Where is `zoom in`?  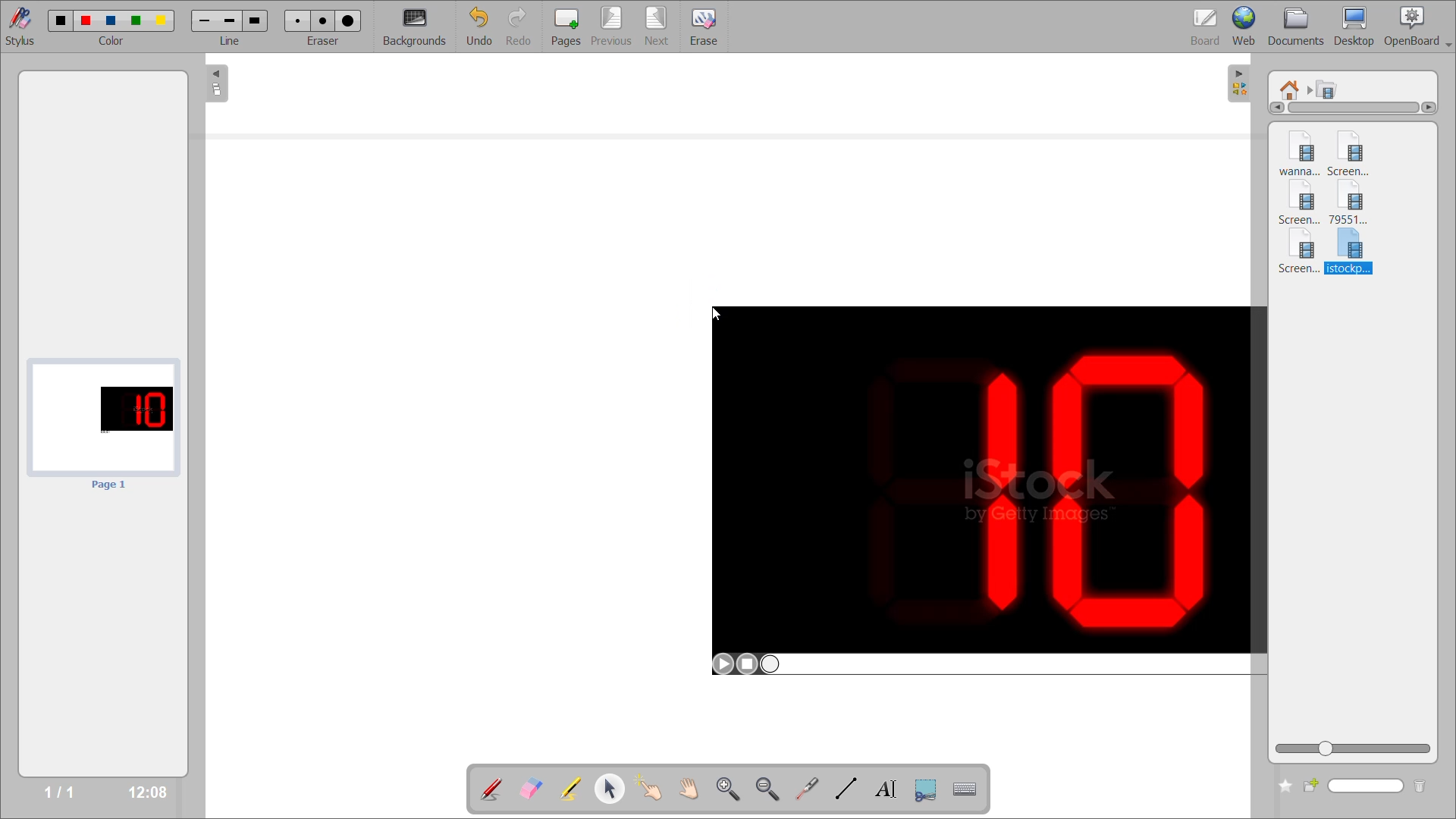
zoom in is located at coordinates (732, 788).